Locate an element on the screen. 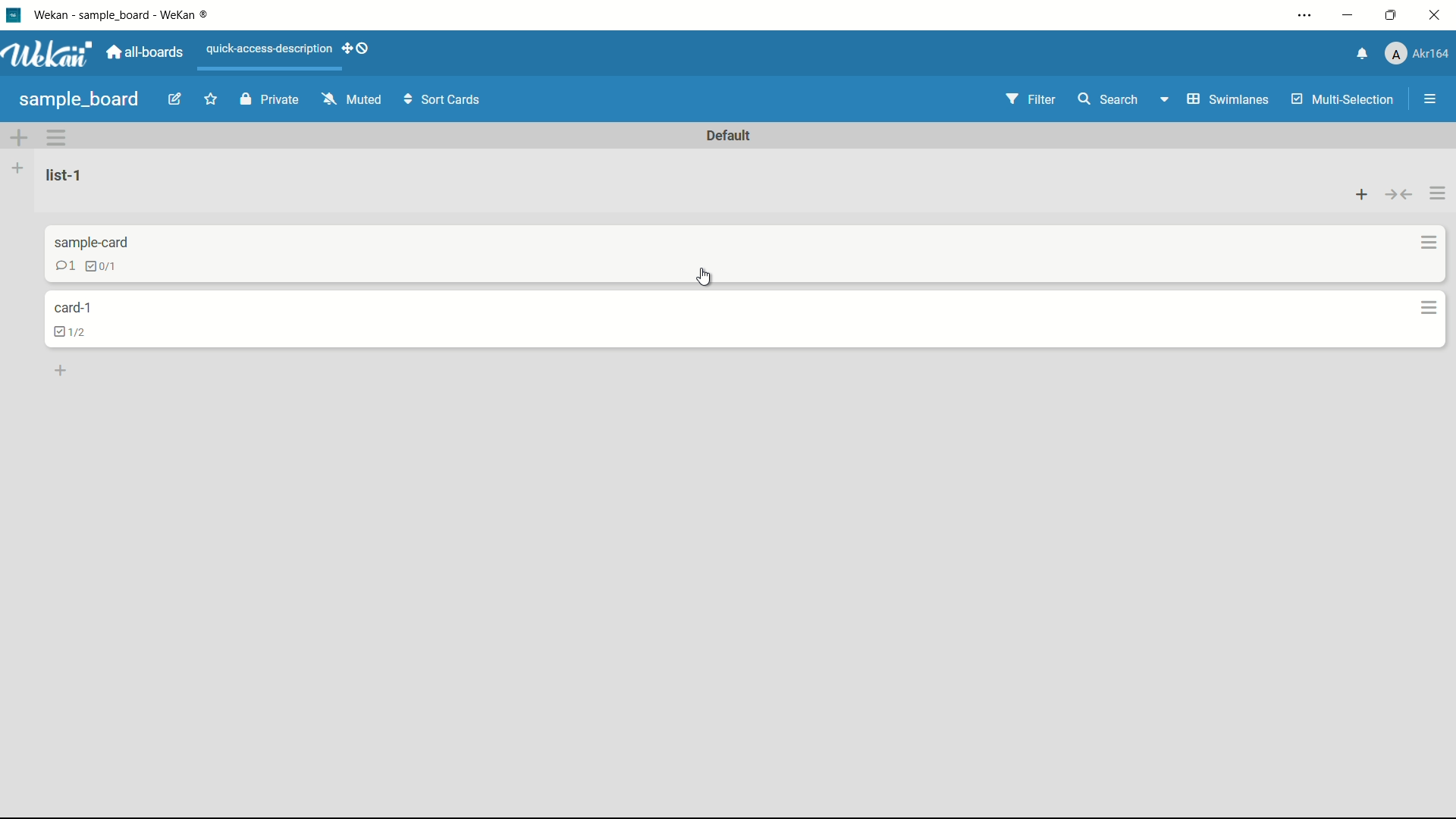 This screenshot has height=819, width=1456. checklist is located at coordinates (102, 265).